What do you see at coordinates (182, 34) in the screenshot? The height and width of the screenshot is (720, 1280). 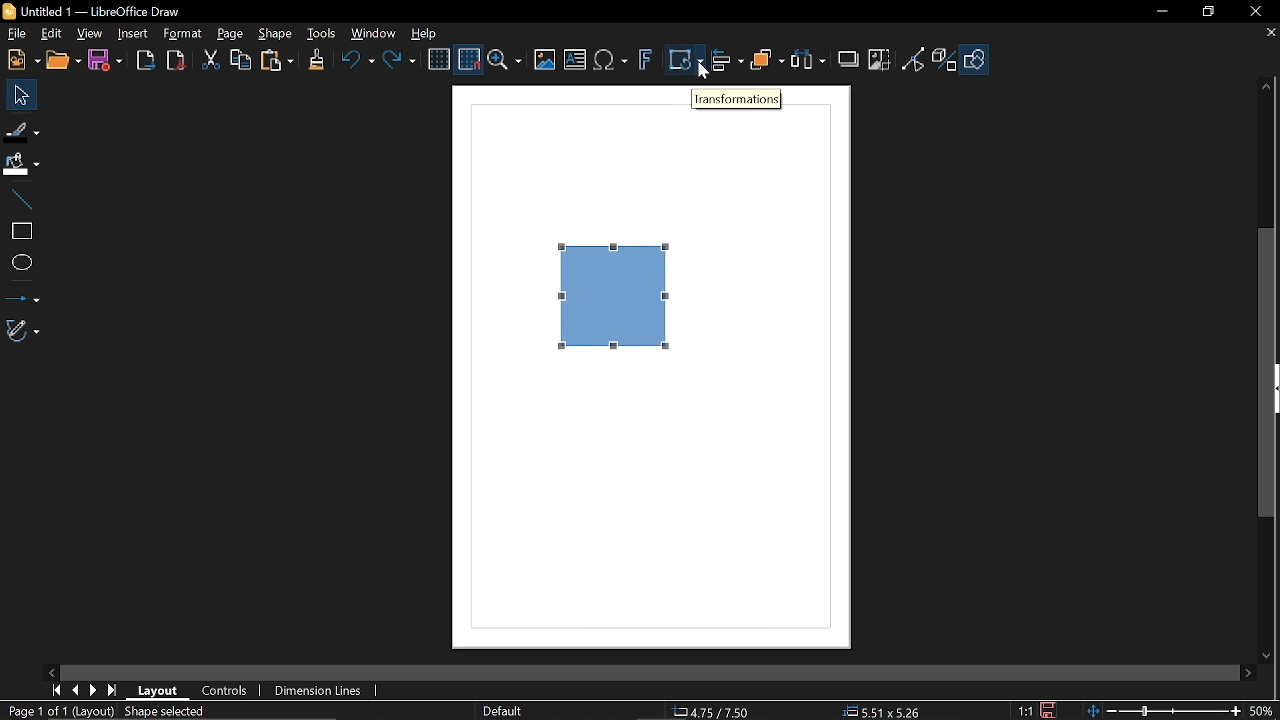 I see `Format` at bounding box center [182, 34].